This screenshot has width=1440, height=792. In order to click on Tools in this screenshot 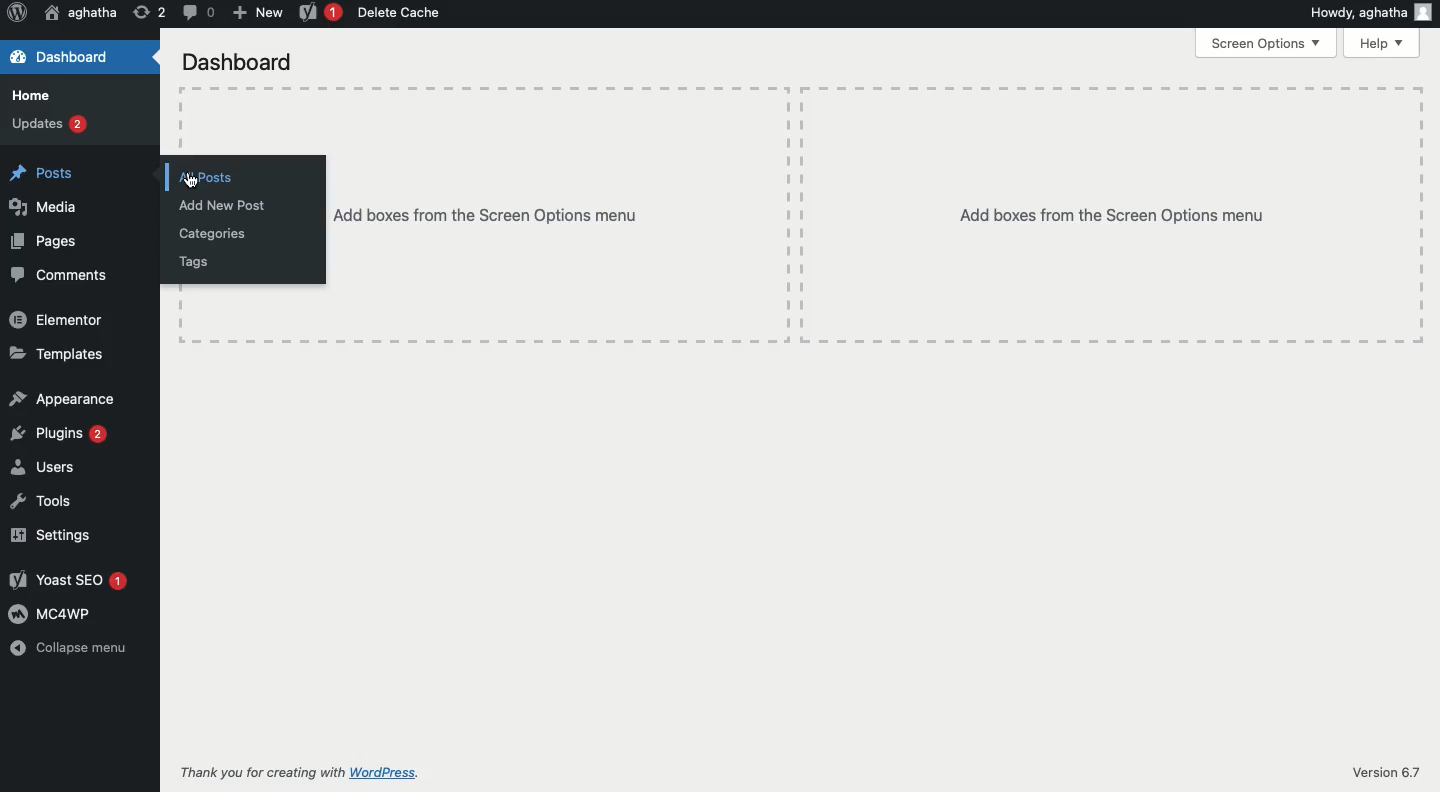, I will do `click(40, 501)`.